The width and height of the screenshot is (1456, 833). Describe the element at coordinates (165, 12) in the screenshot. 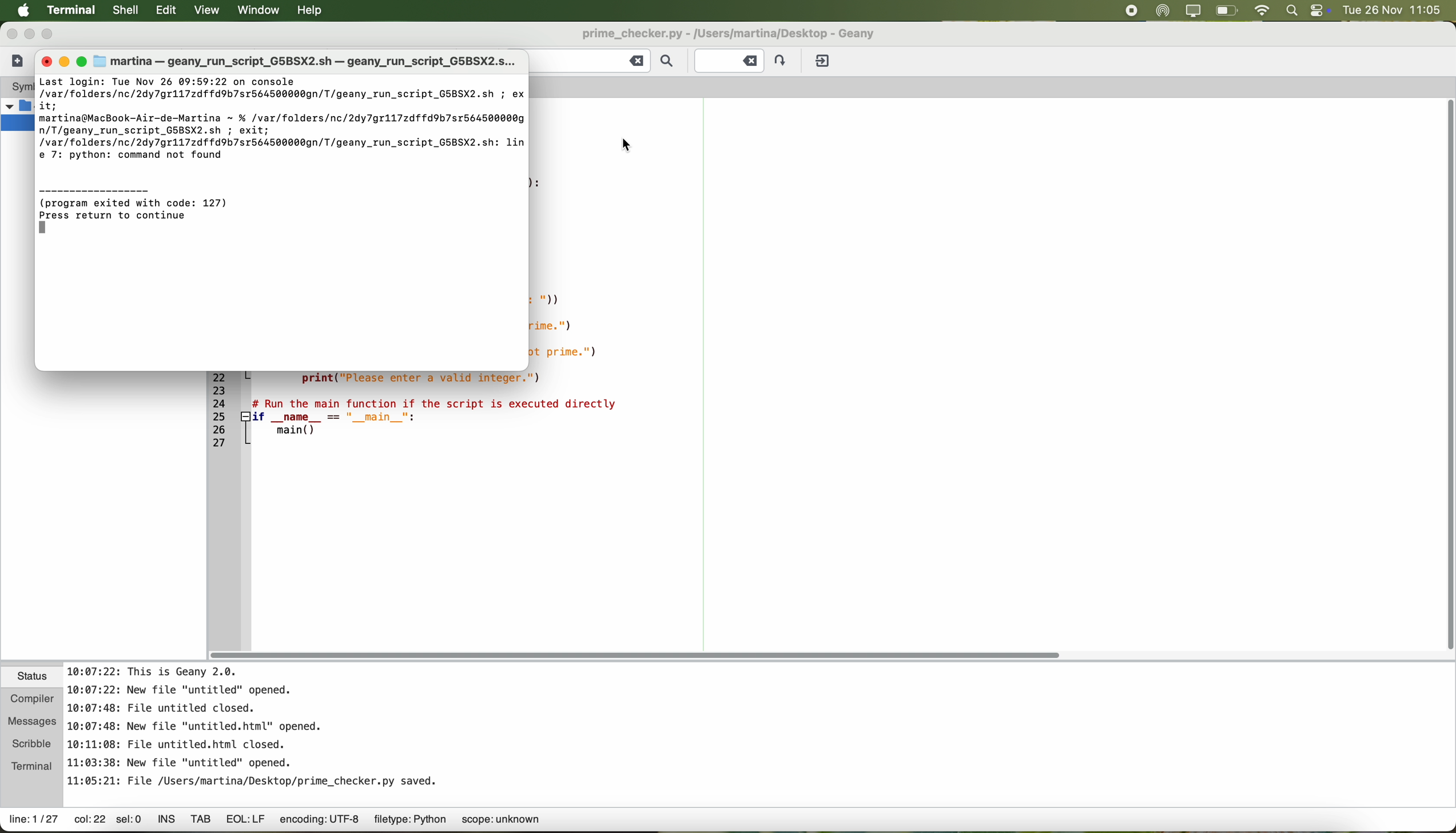

I see `edit` at that location.